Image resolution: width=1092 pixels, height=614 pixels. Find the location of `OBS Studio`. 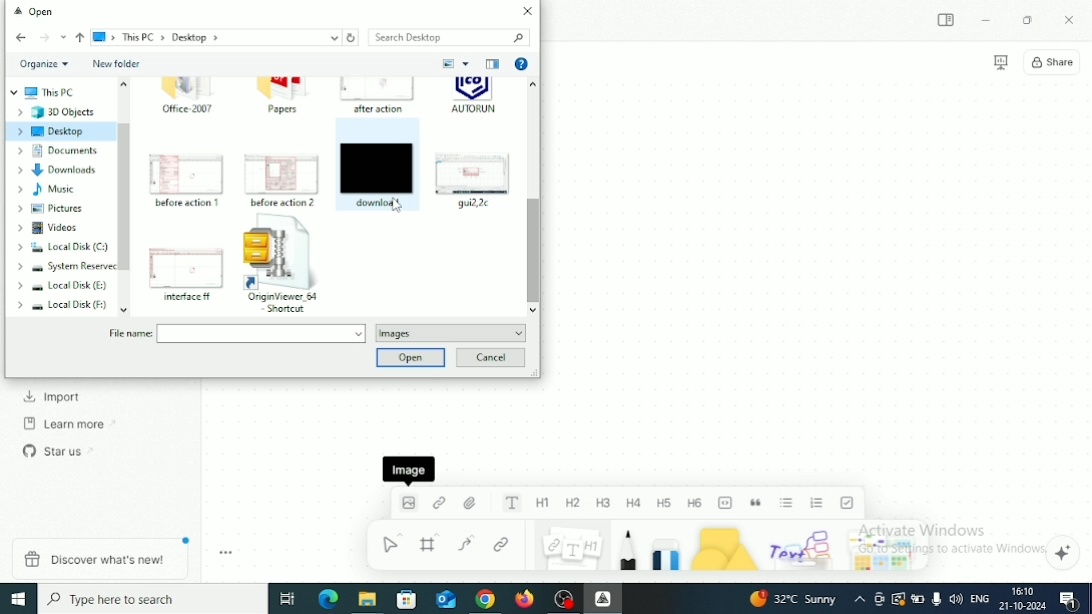

OBS Studio is located at coordinates (564, 600).